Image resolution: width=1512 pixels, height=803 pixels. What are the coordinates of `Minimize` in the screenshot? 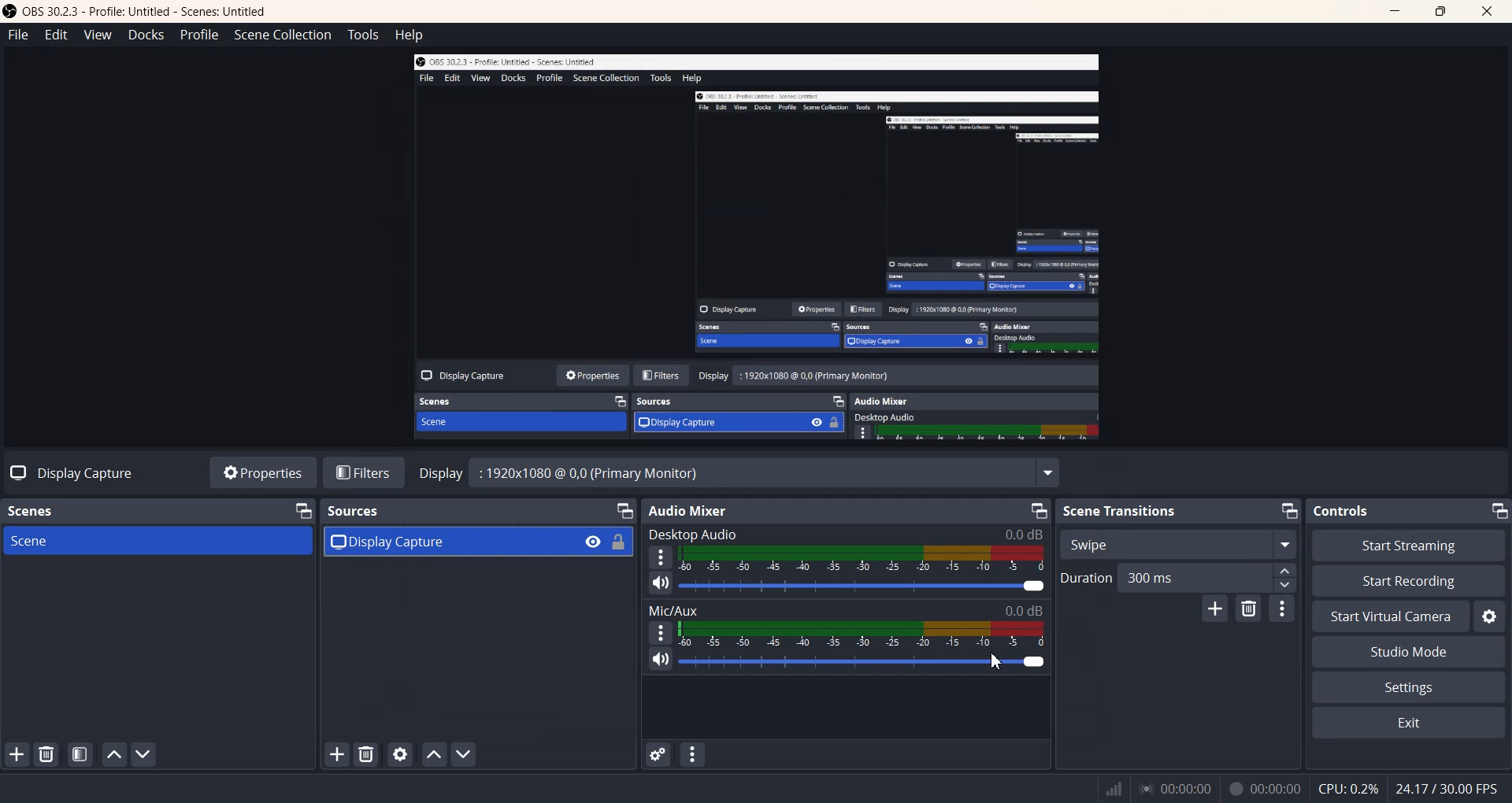 It's located at (1040, 511).